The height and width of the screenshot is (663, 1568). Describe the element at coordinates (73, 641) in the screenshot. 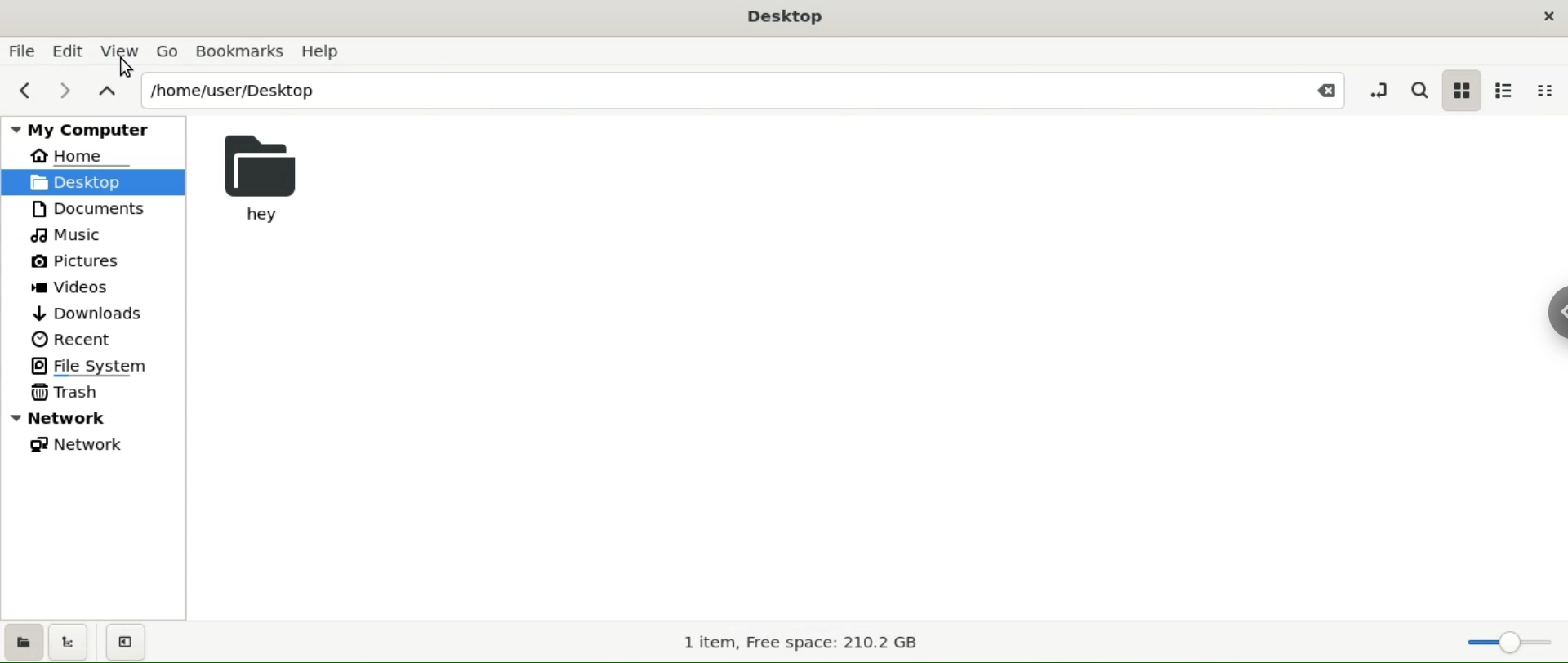

I see `show treeview` at that location.